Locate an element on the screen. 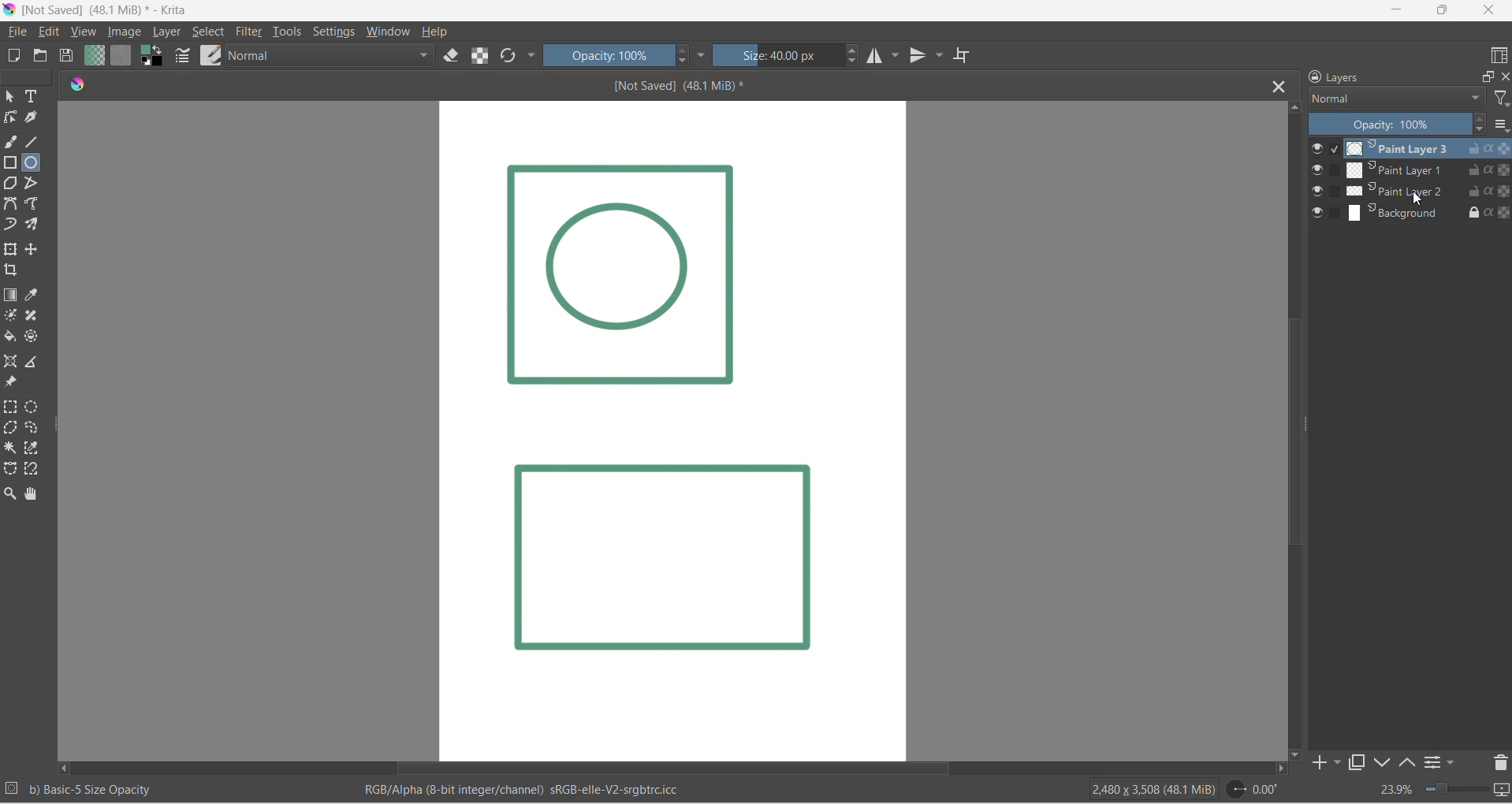  edit shapes tool is located at coordinates (10, 120).